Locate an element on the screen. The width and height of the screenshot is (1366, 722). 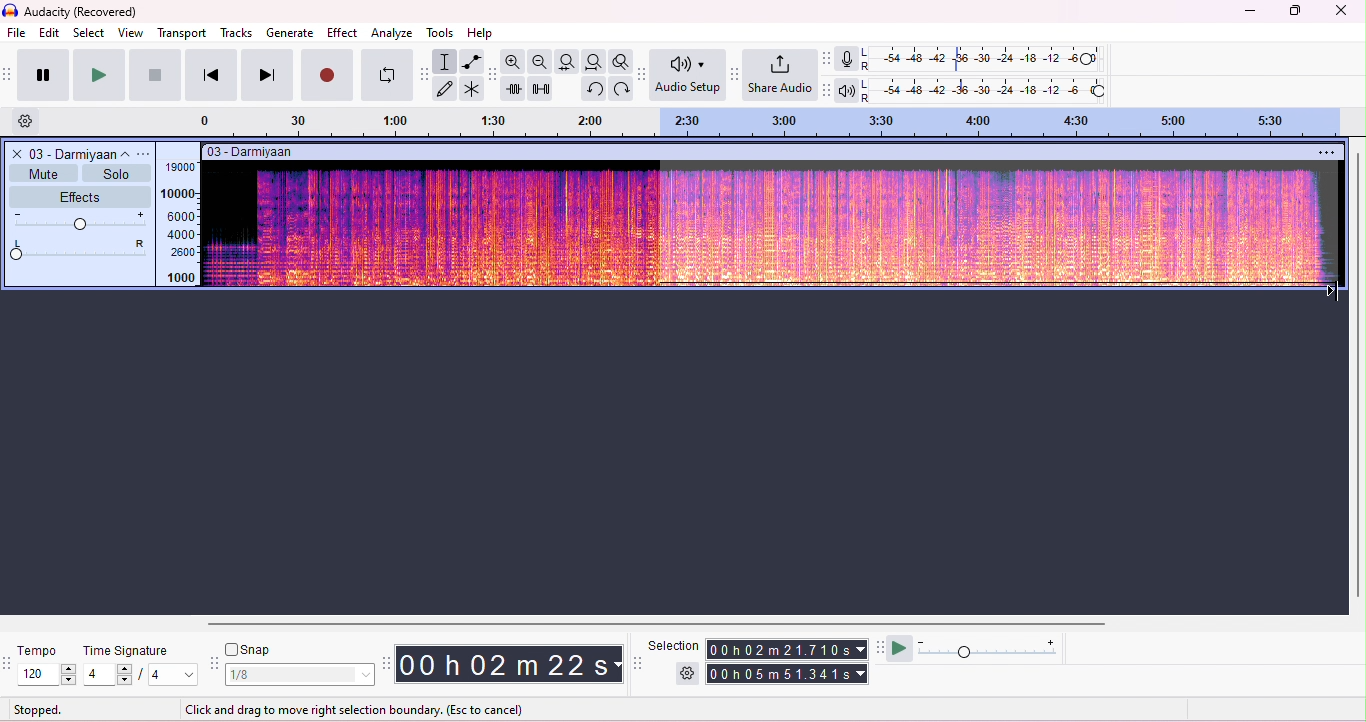
time is located at coordinates (508, 663).